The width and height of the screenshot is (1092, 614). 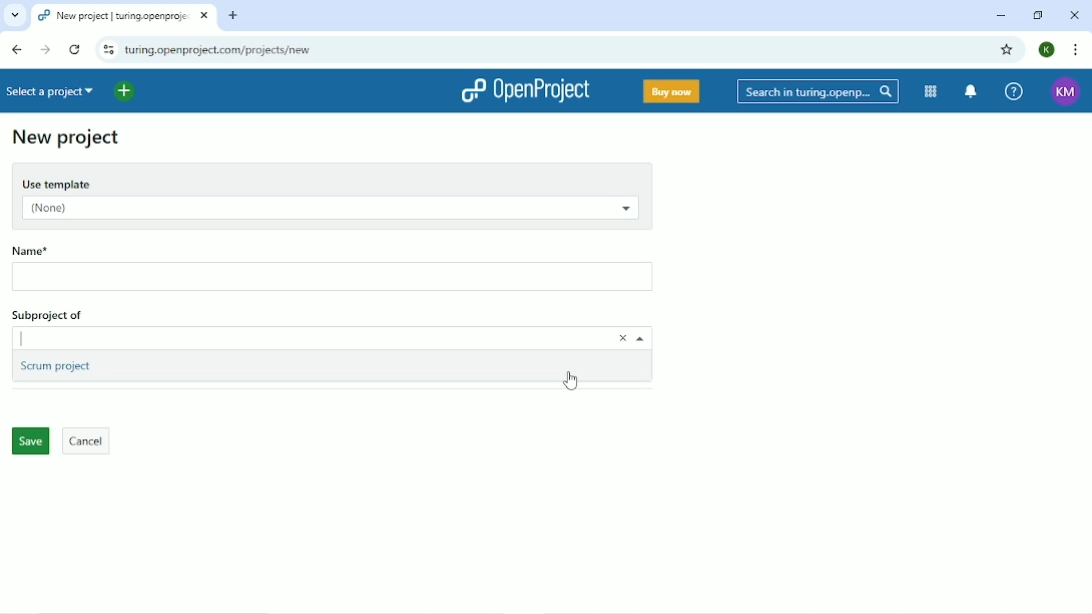 What do you see at coordinates (203, 18) in the screenshot?
I see `close` at bounding box center [203, 18].